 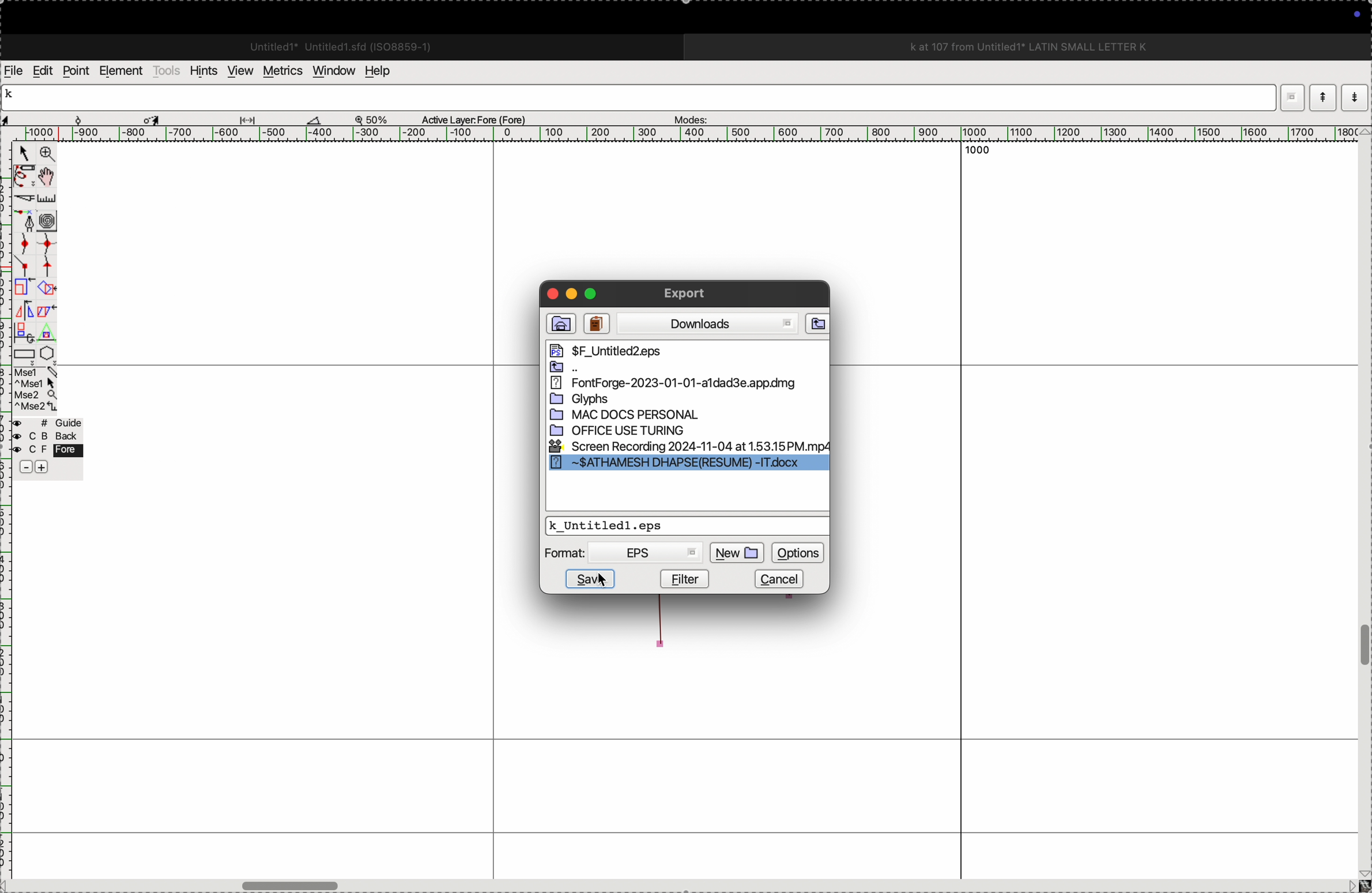 What do you see at coordinates (666, 524) in the screenshot?
I see `save` at bounding box center [666, 524].